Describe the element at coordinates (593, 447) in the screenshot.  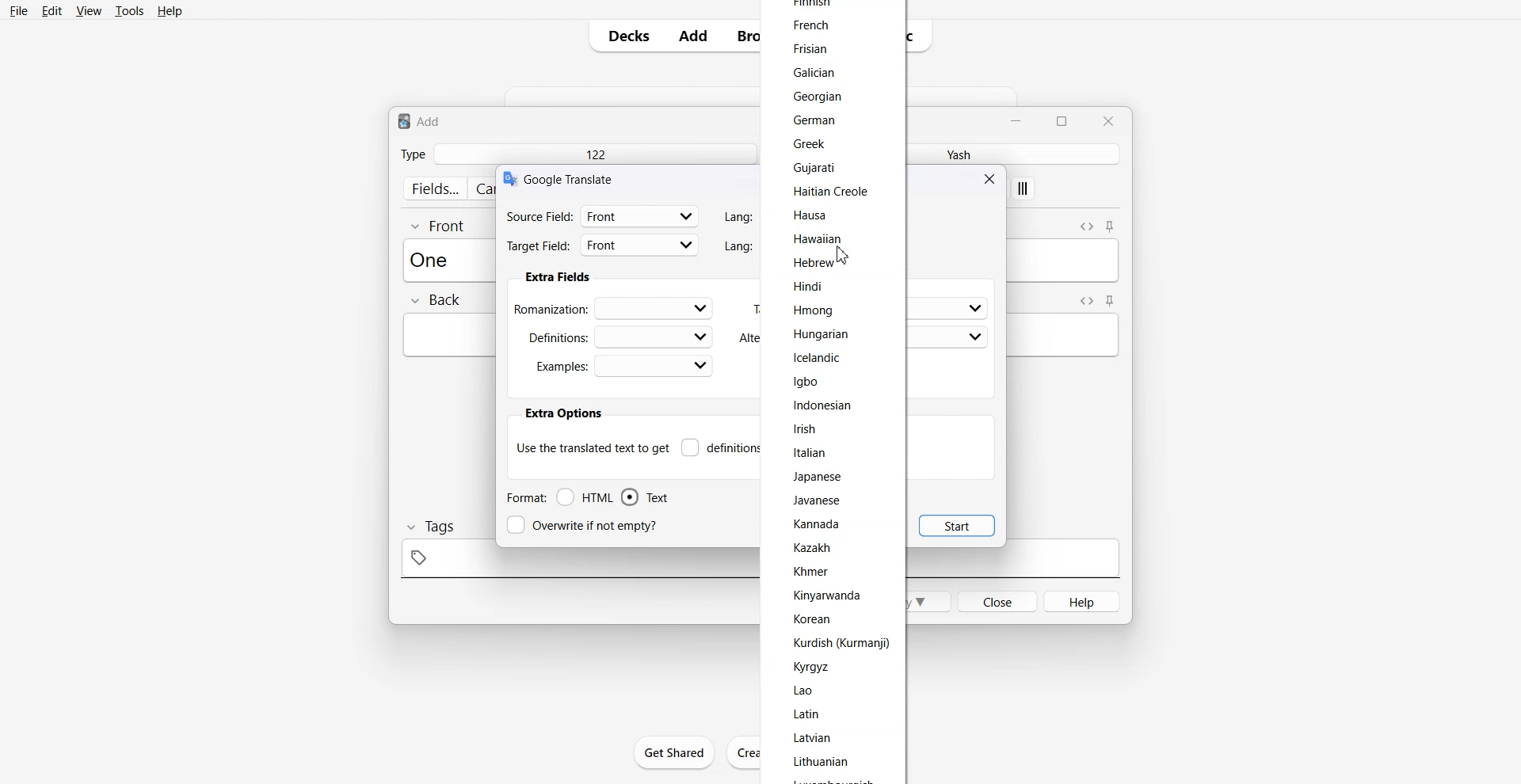
I see `Use the translate text to get` at that location.